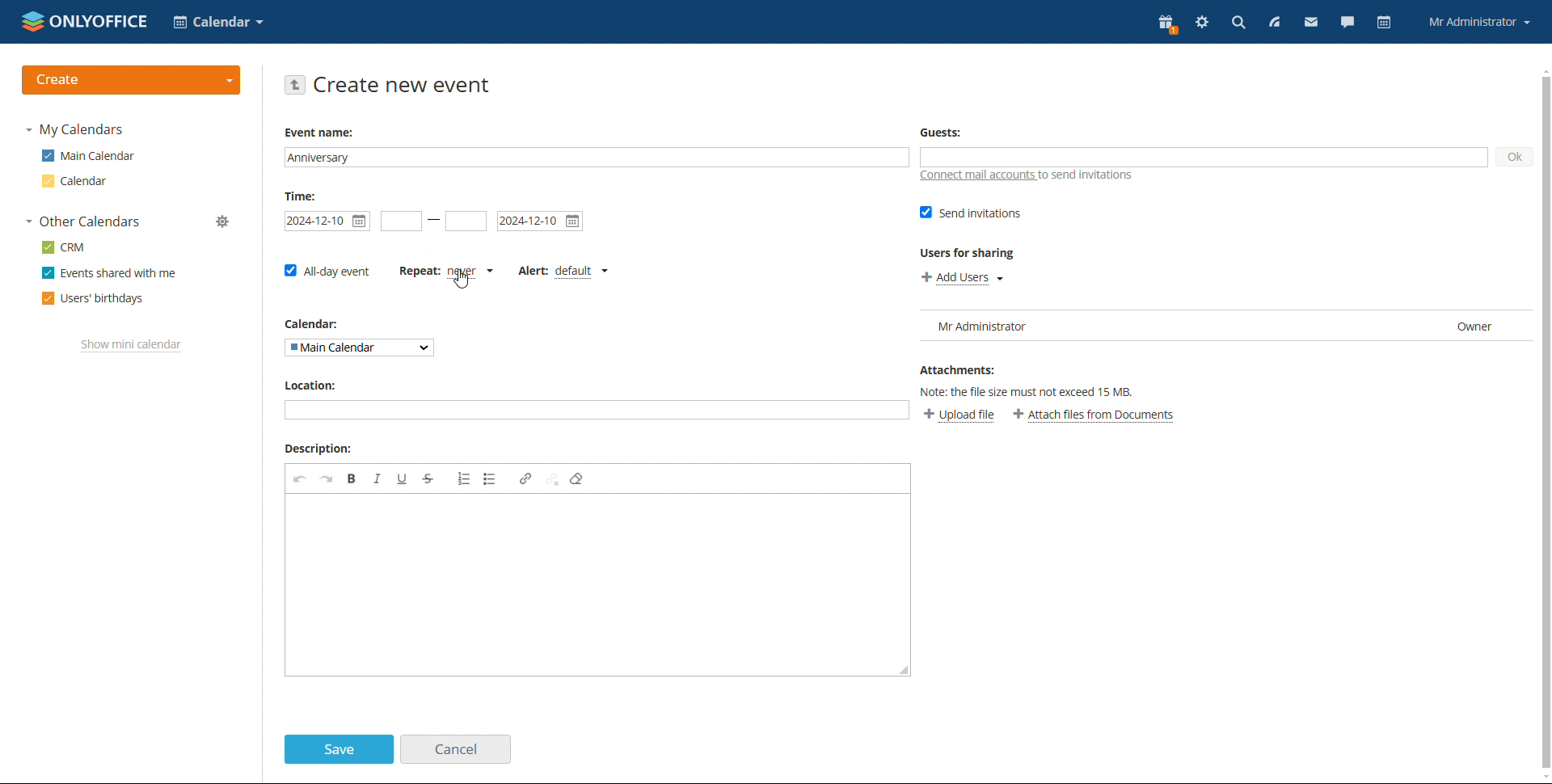  I want to click on settings, so click(1200, 22).